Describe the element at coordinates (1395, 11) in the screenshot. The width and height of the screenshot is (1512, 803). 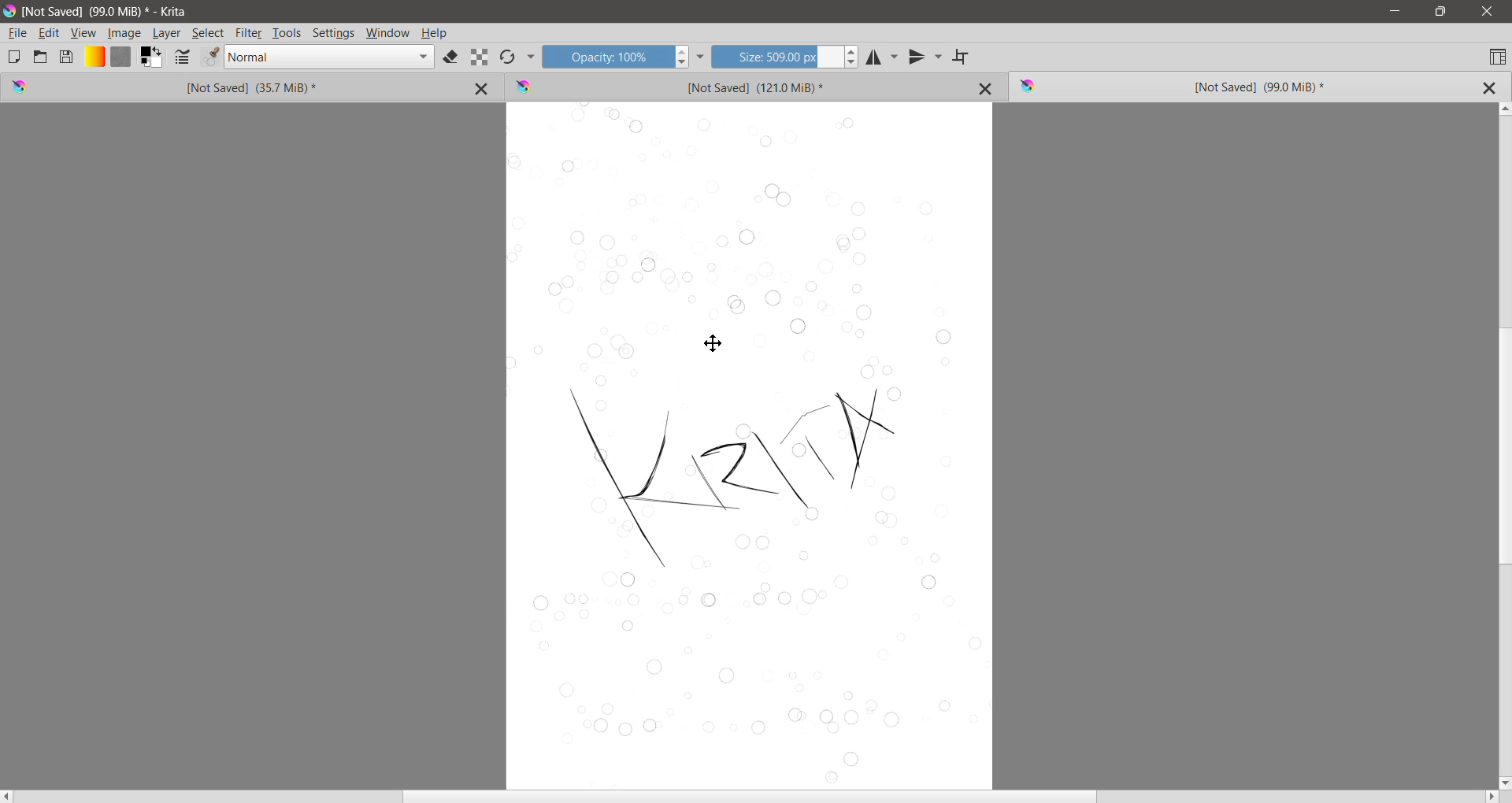
I see `Minimize` at that location.